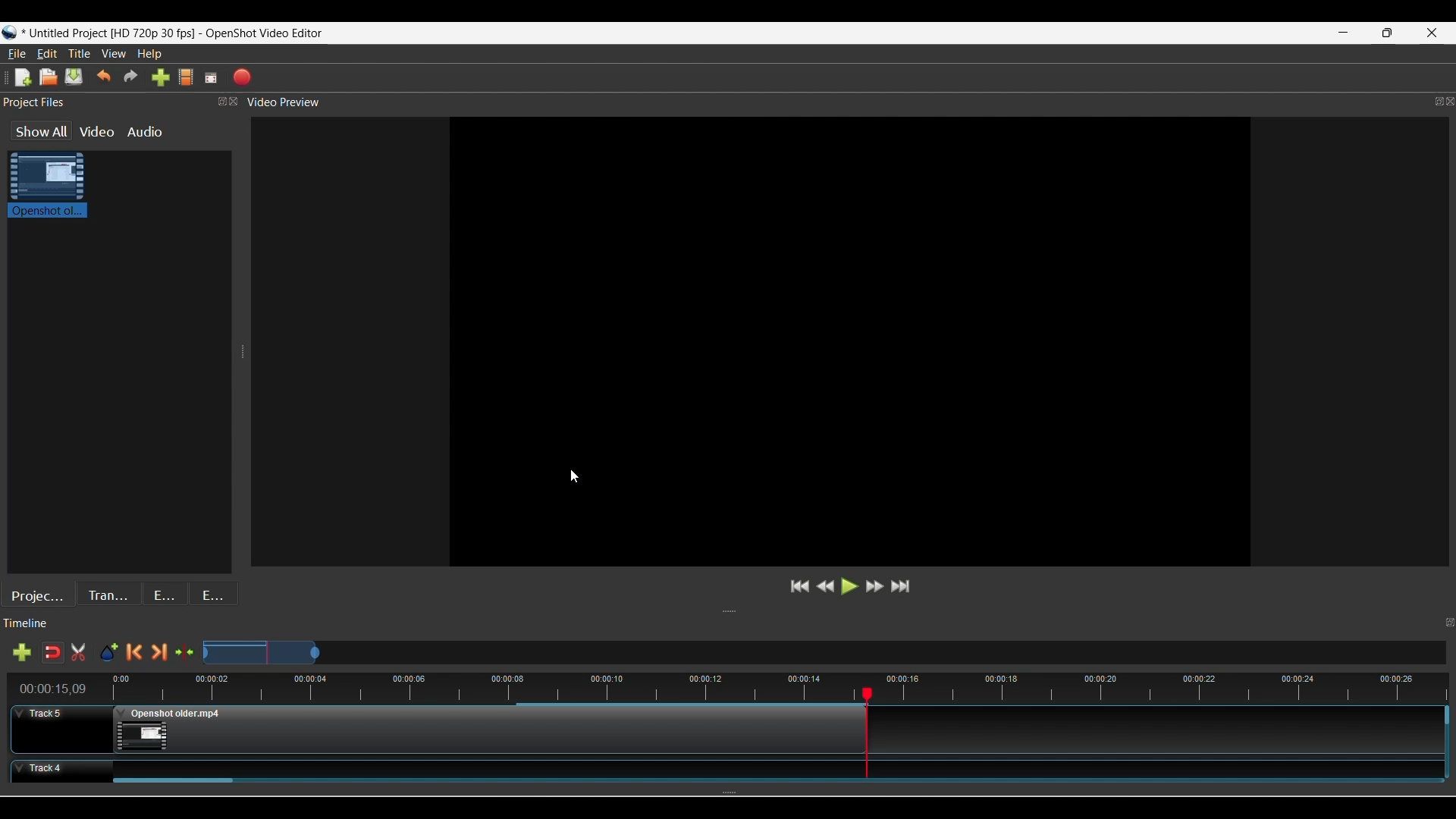 This screenshot has width=1456, height=819. I want to click on Audio files in the project, so click(145, 131).